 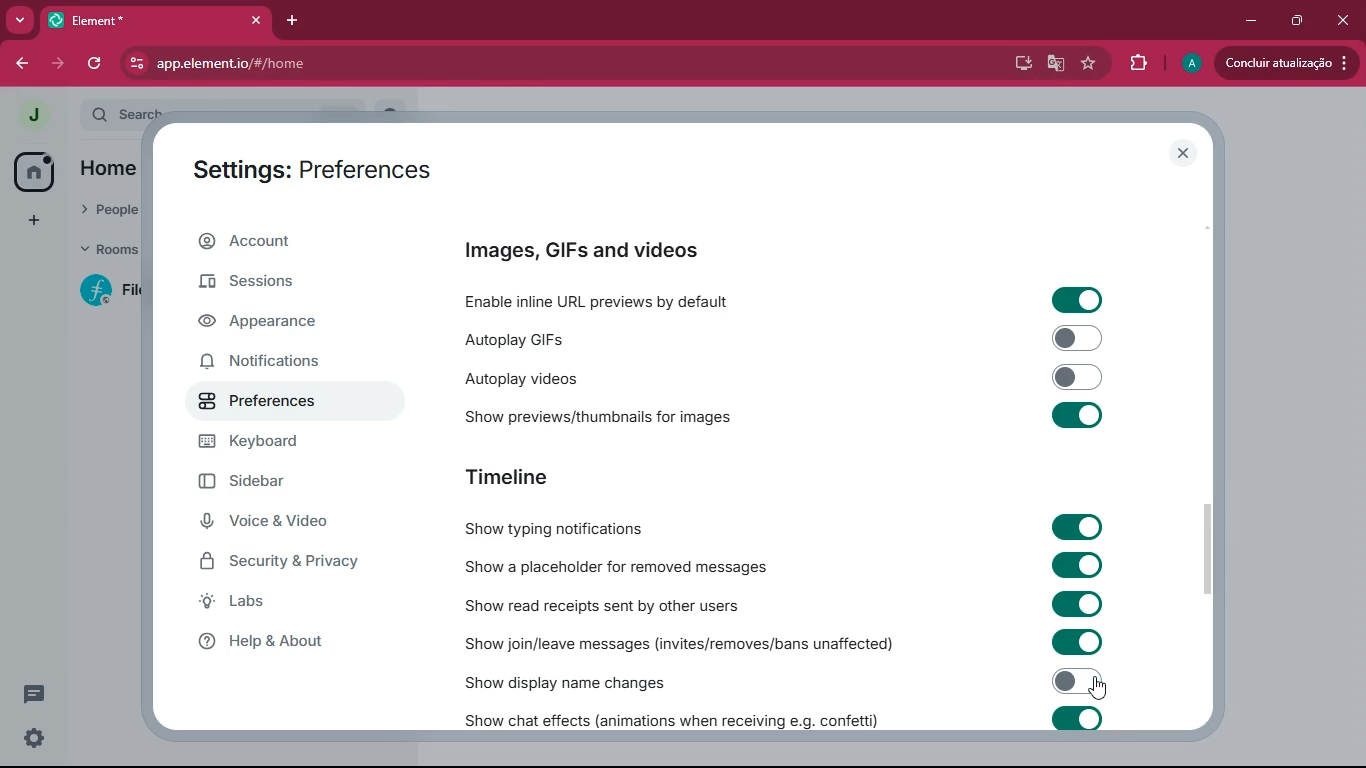 I want to click on home, so click(x=34, y=172).